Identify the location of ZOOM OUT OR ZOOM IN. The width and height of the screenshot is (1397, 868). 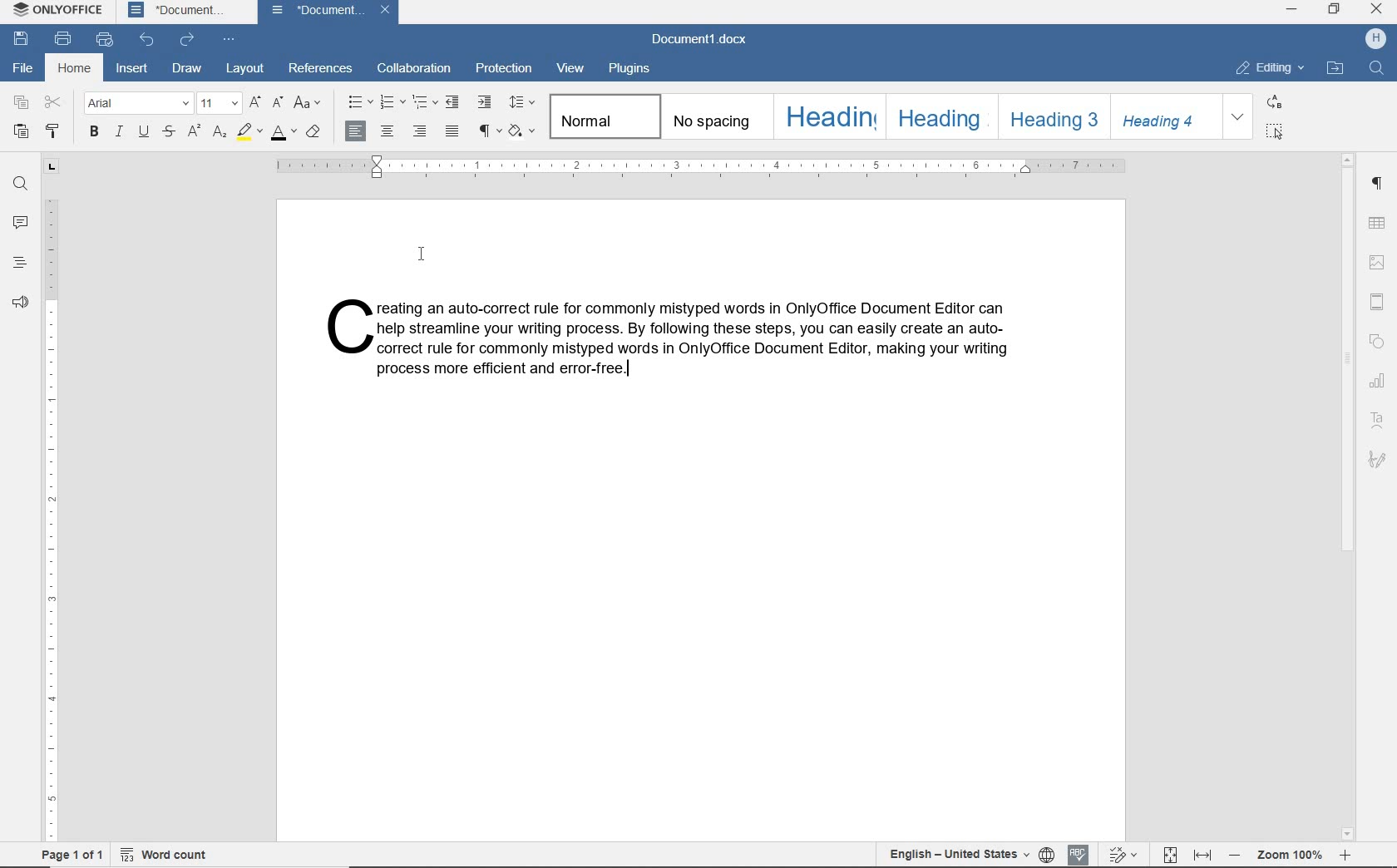
(1290, 856).